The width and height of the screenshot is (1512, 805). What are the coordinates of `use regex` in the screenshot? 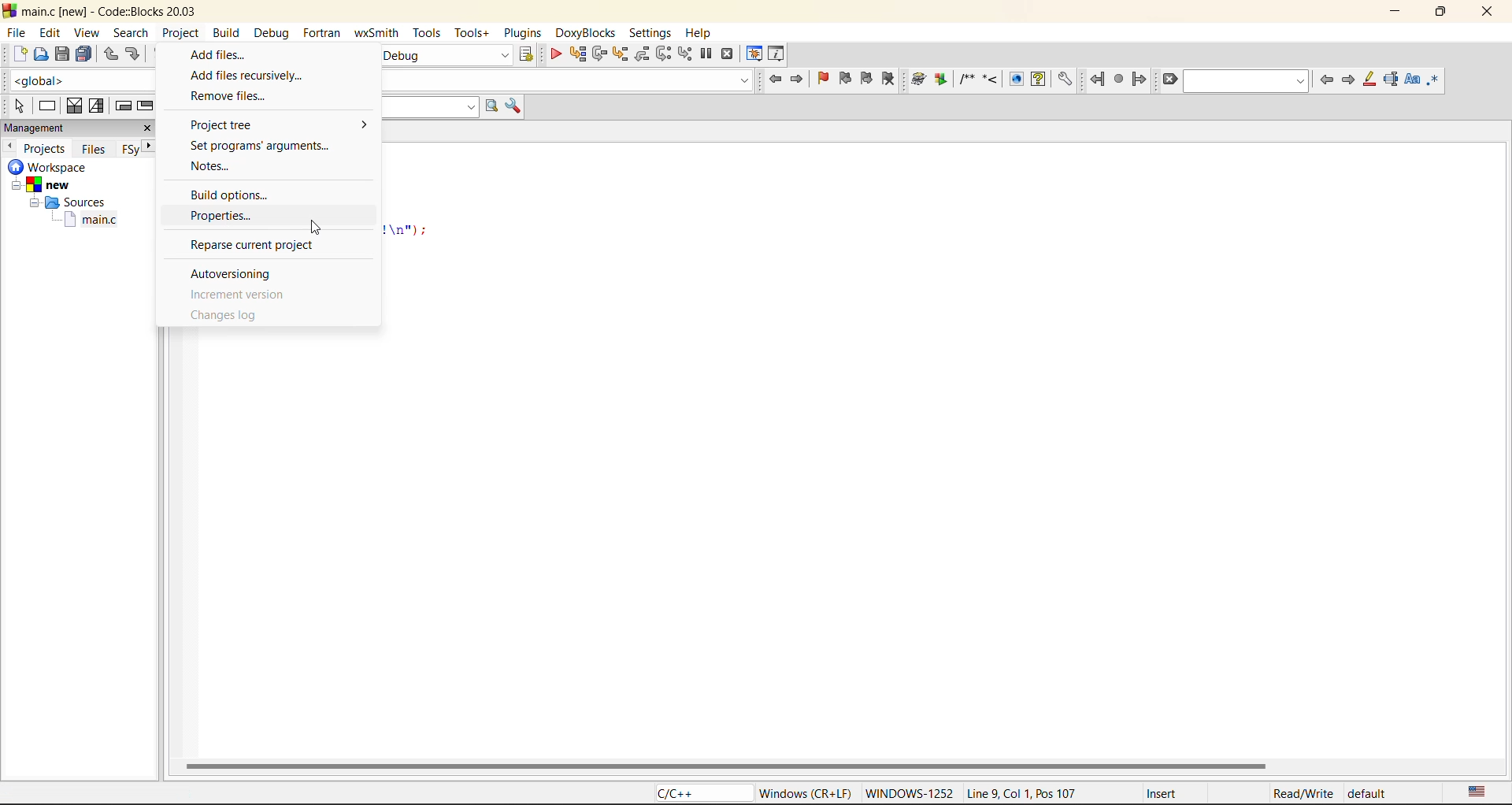 It's located at (1436, 80).